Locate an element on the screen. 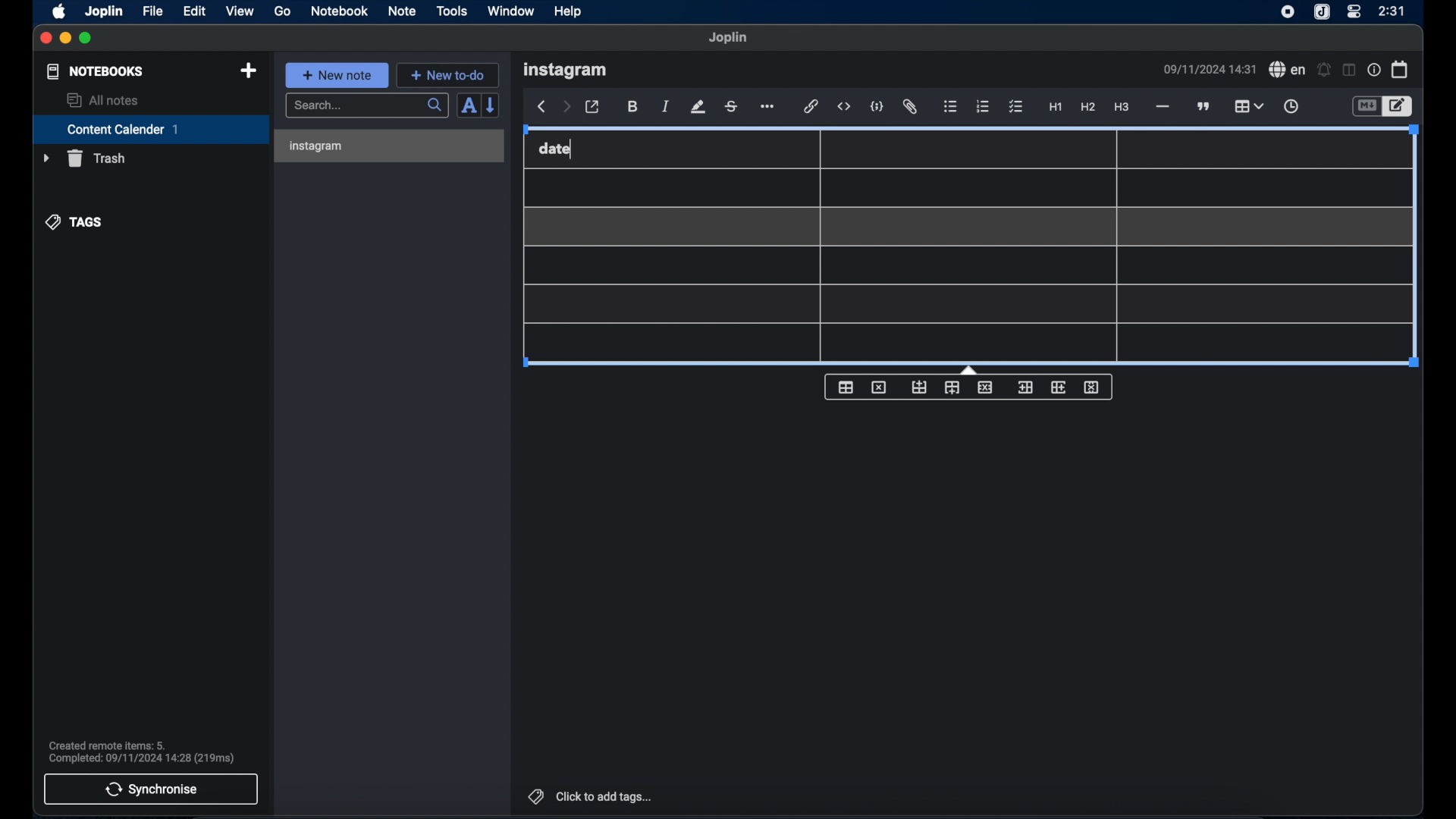  inline code is located at coordinates (844, 107).